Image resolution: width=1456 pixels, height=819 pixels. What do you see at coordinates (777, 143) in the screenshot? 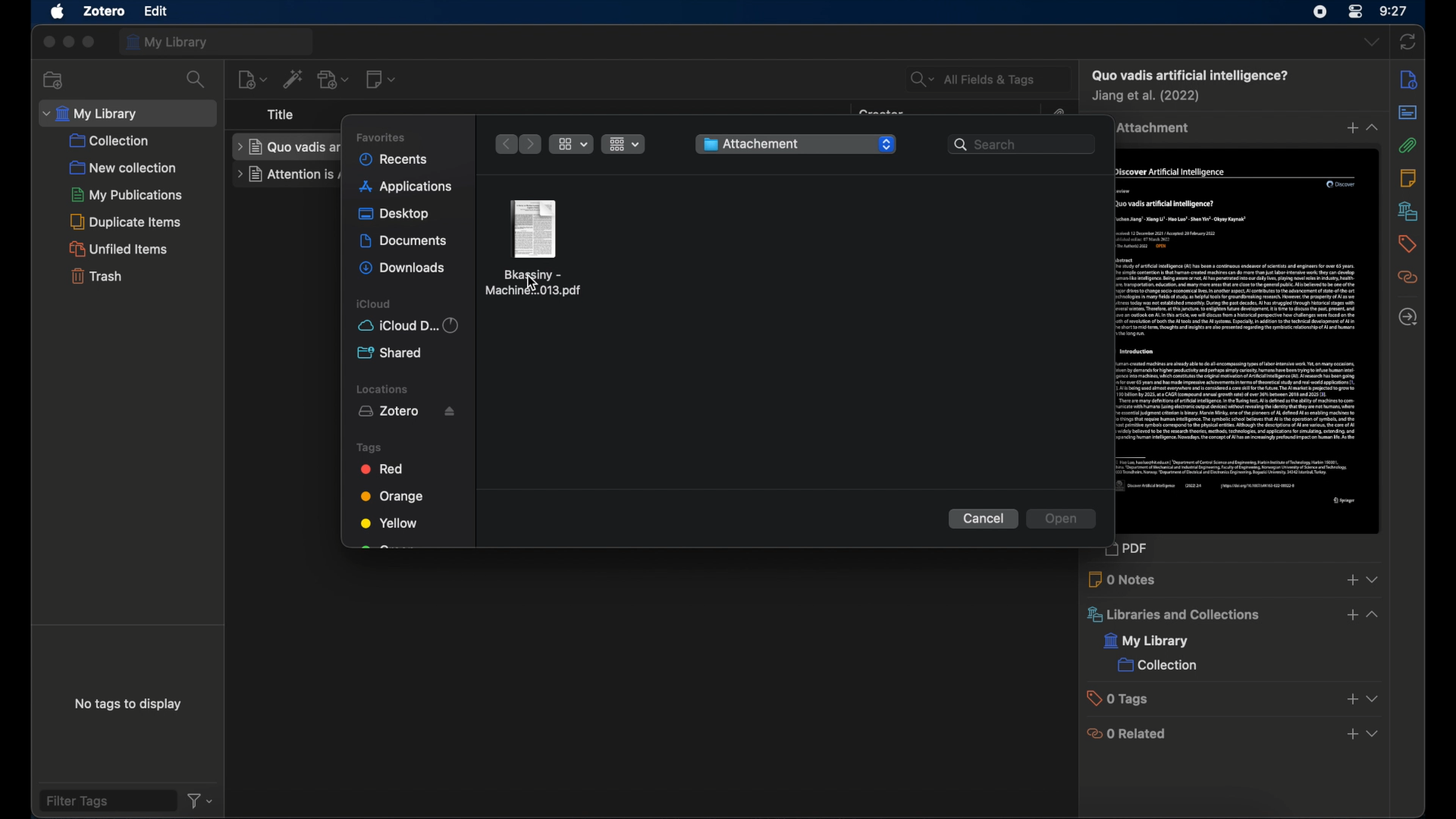
I see `folder name` at bounding box center [777, 143].